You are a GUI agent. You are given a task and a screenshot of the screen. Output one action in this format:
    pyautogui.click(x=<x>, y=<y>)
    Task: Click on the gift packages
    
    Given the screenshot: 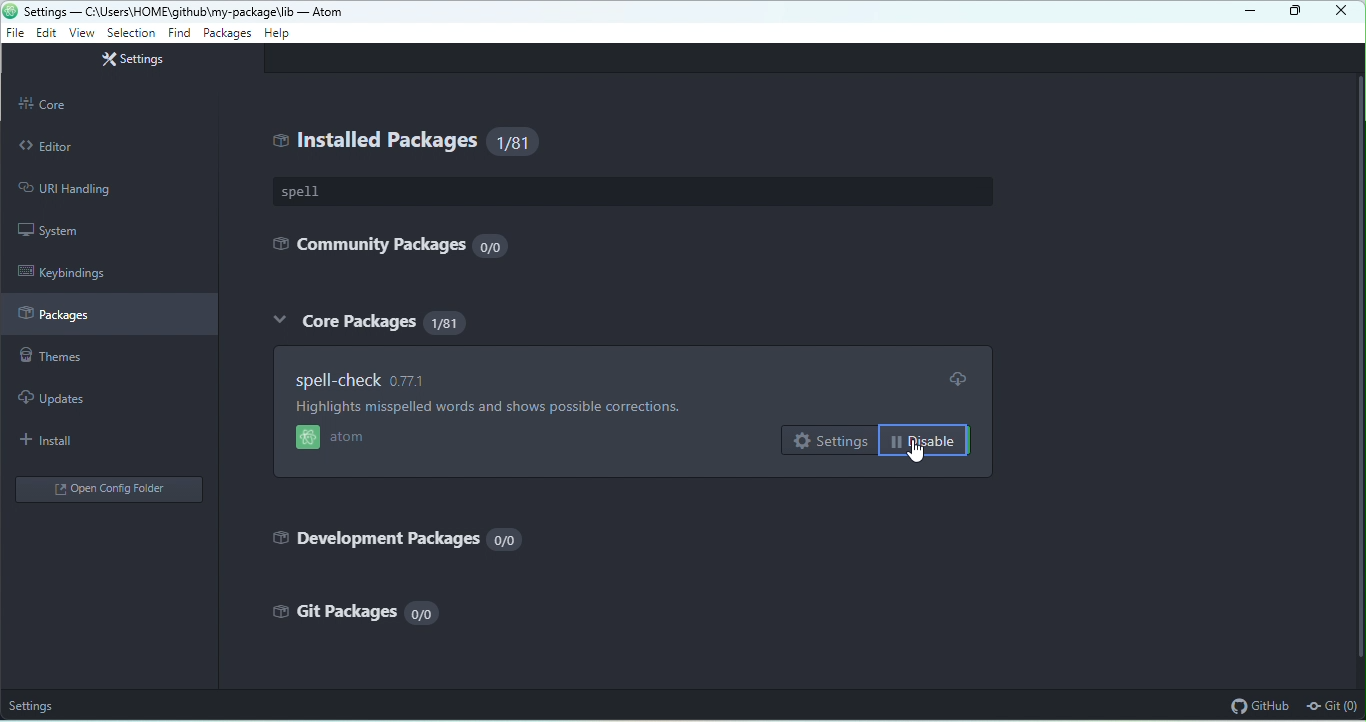 What is the action you would take?
    pyautogui.click(x=335, y=612)
    